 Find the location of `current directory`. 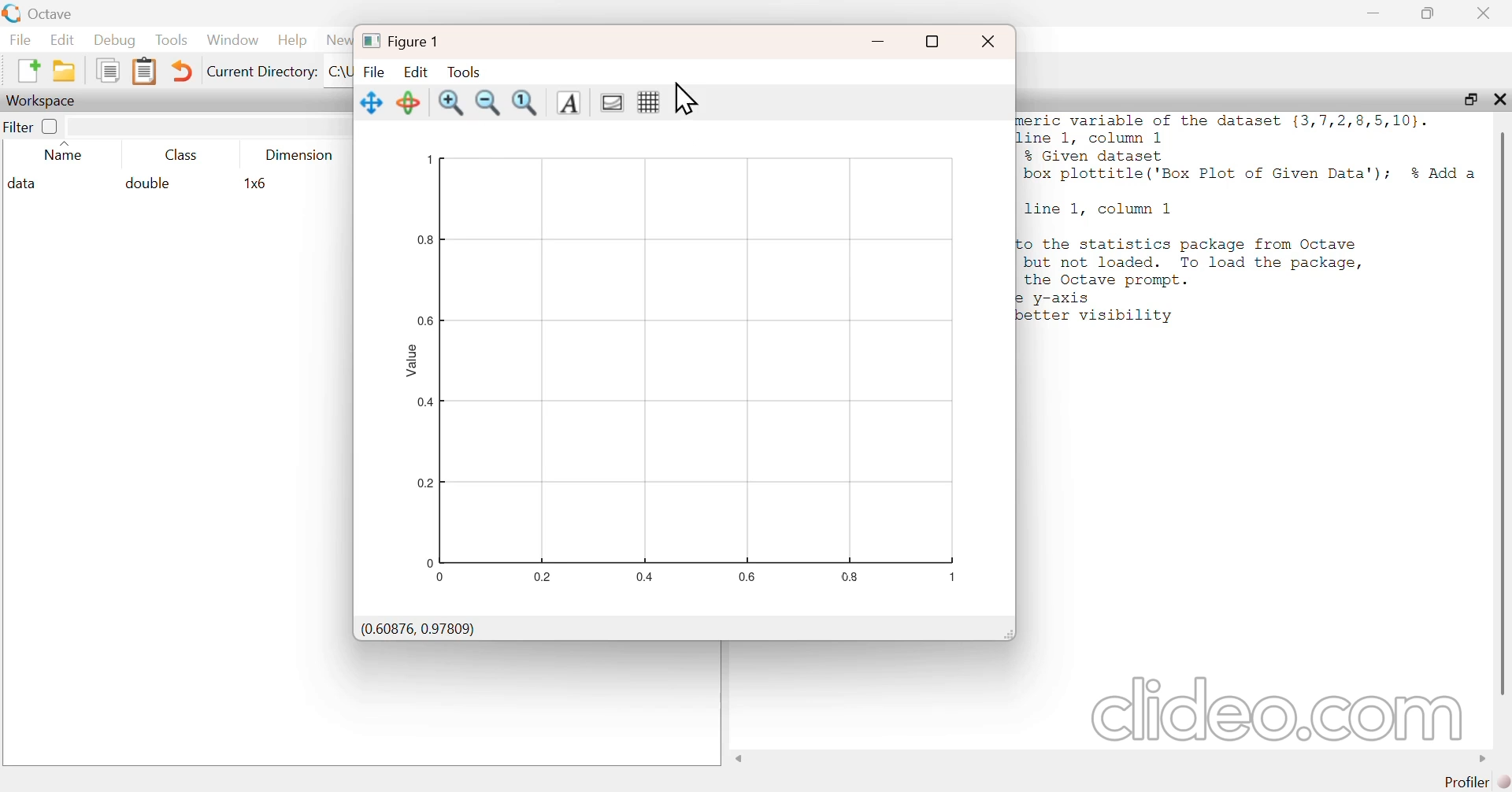

current directory is located at coordinates (263, 72).